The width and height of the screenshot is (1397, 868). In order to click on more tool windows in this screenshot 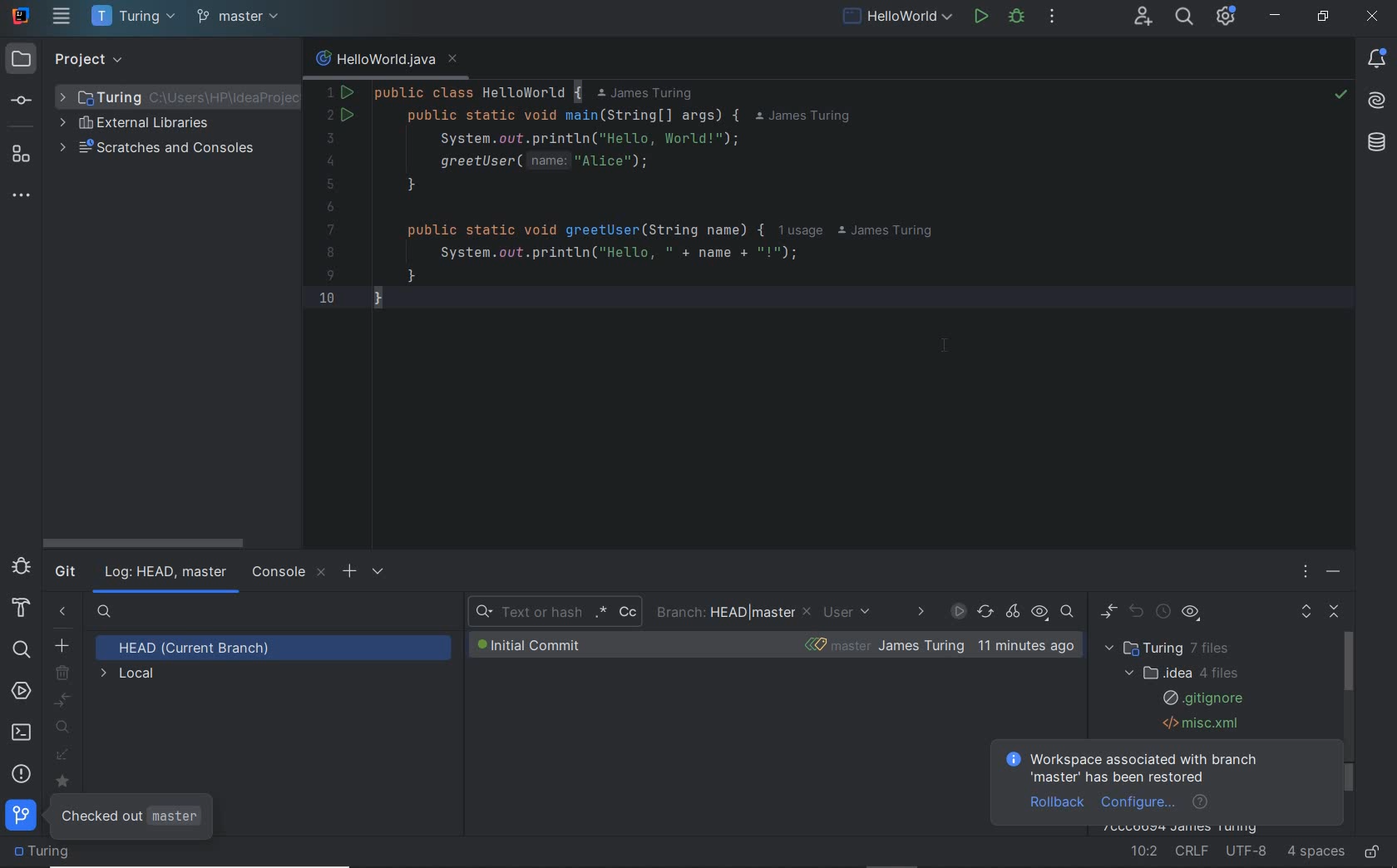, I will do `click(22, 196)`.